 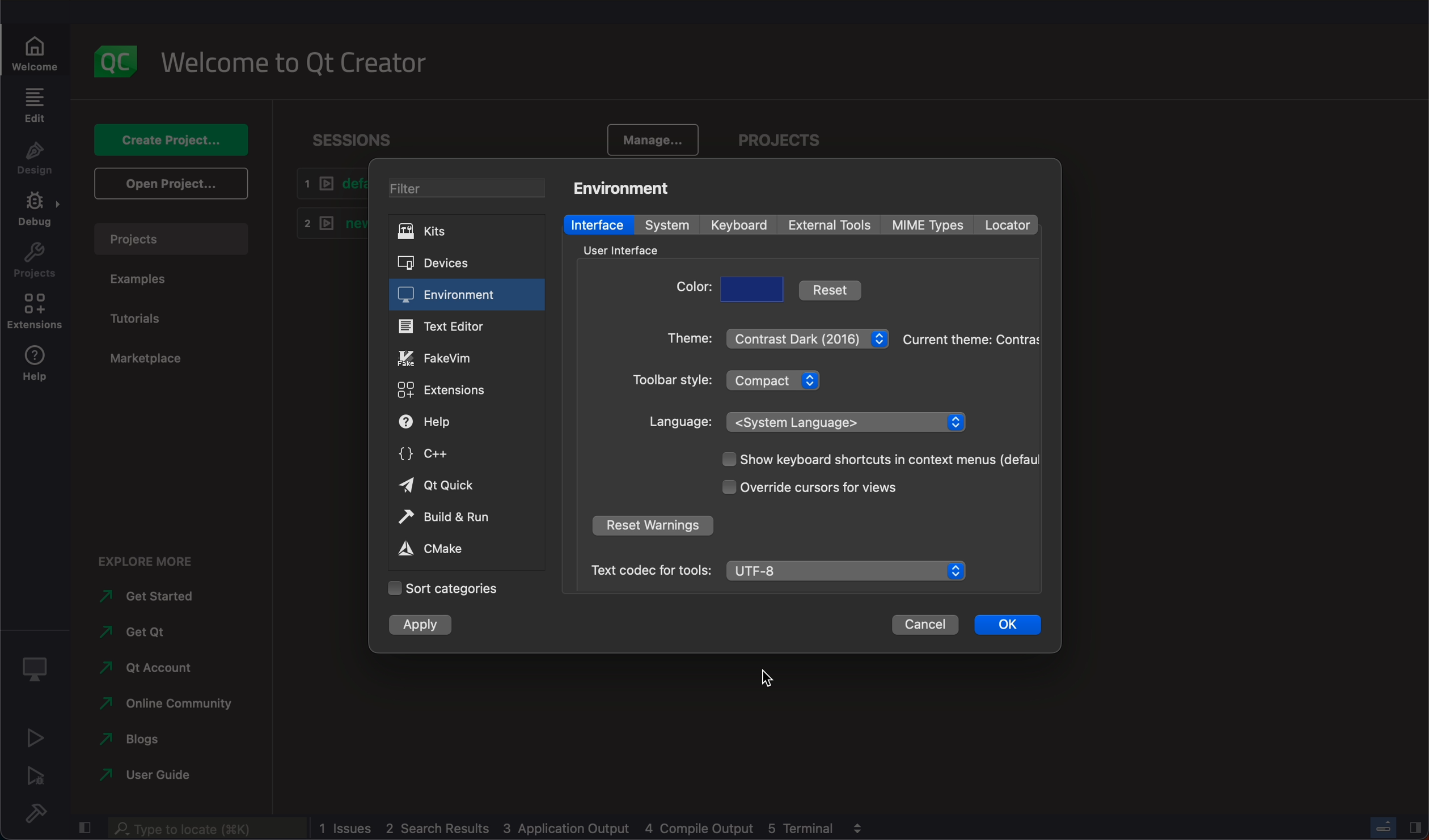 I want to click on interface, so click(x=599, y=224).